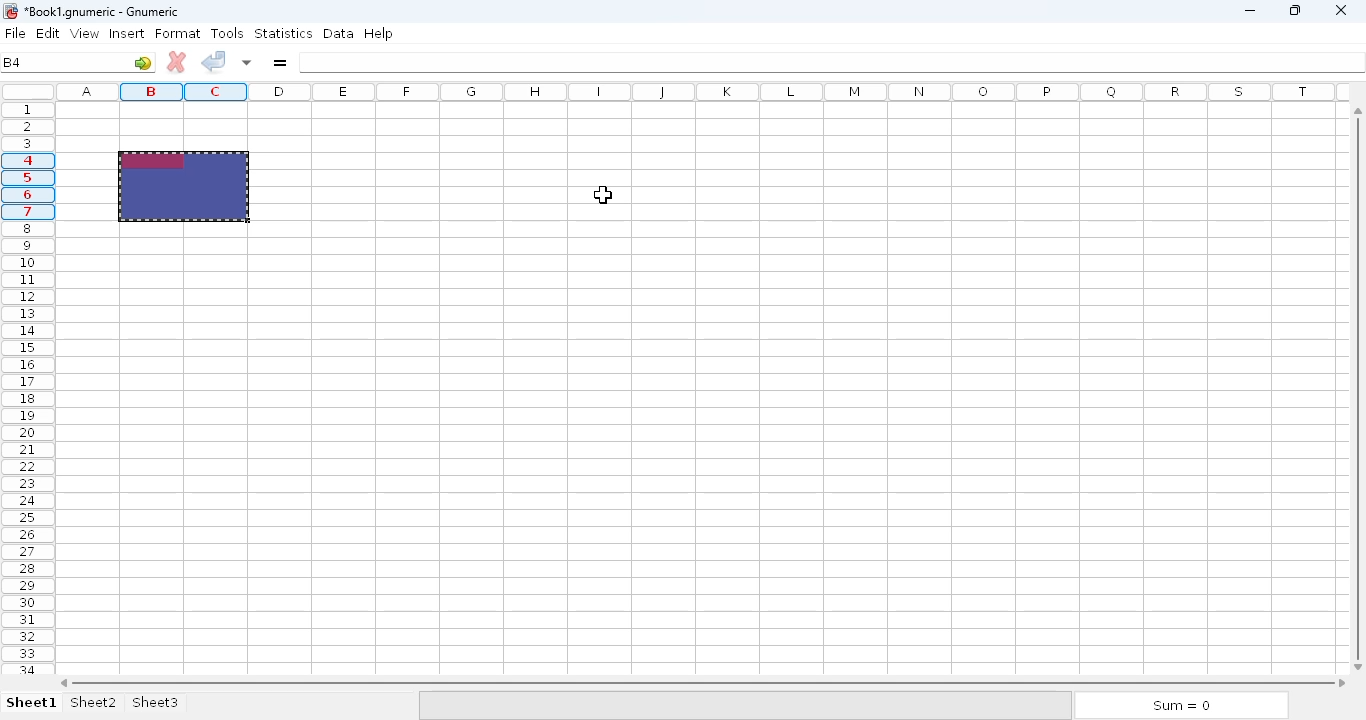  What do you see at coordinates (703, 682) in the screenshot?
I see `horizontal scroll bar` at bounding box center [703, 682].